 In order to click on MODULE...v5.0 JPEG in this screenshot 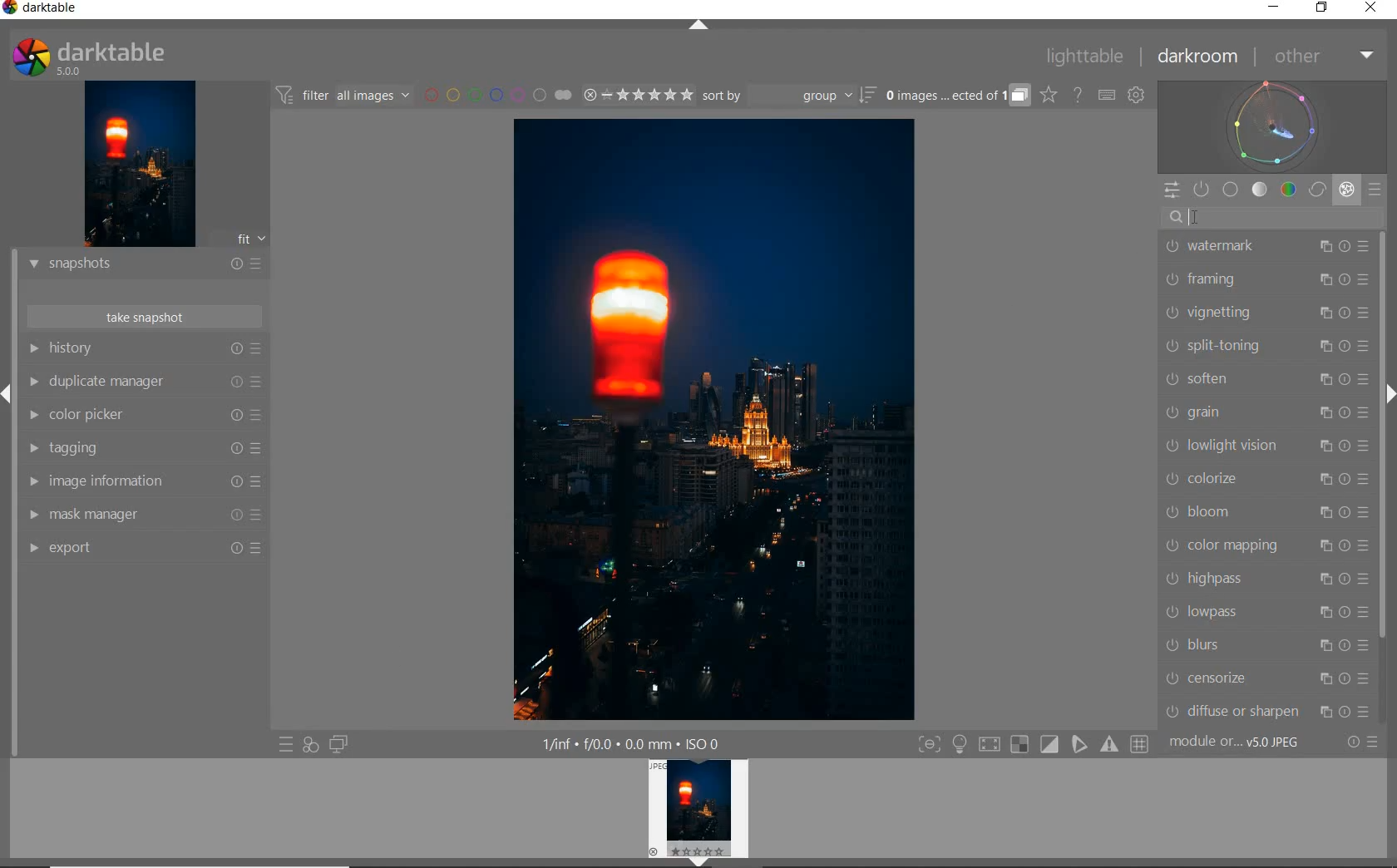, I will do `click(1251, 744)`.